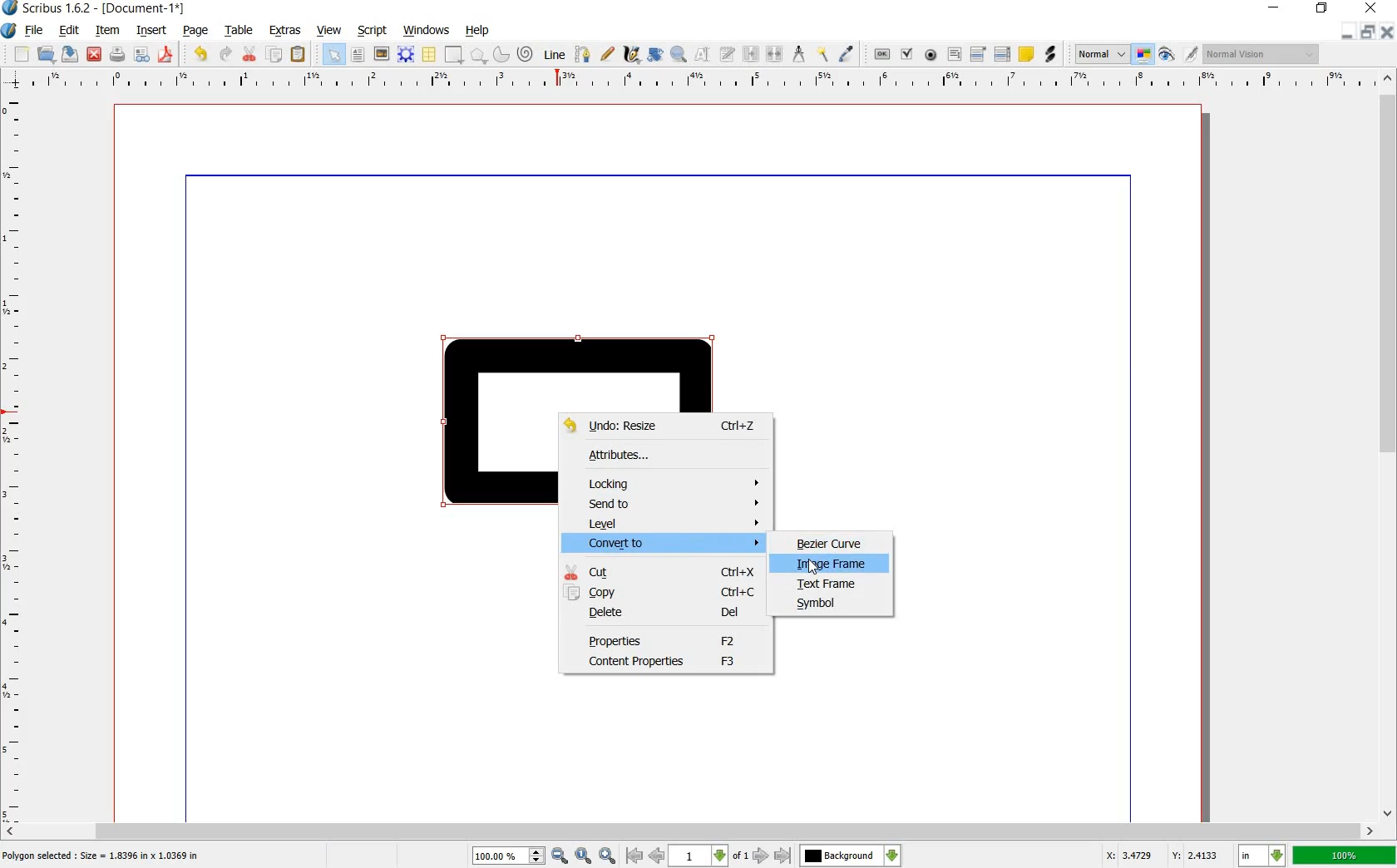 Image resolution: width=1397 pixels, height=868 pixels. Describe the element at coordinates (166, 56) in the screenshot. I see `save as pdf` at that location.